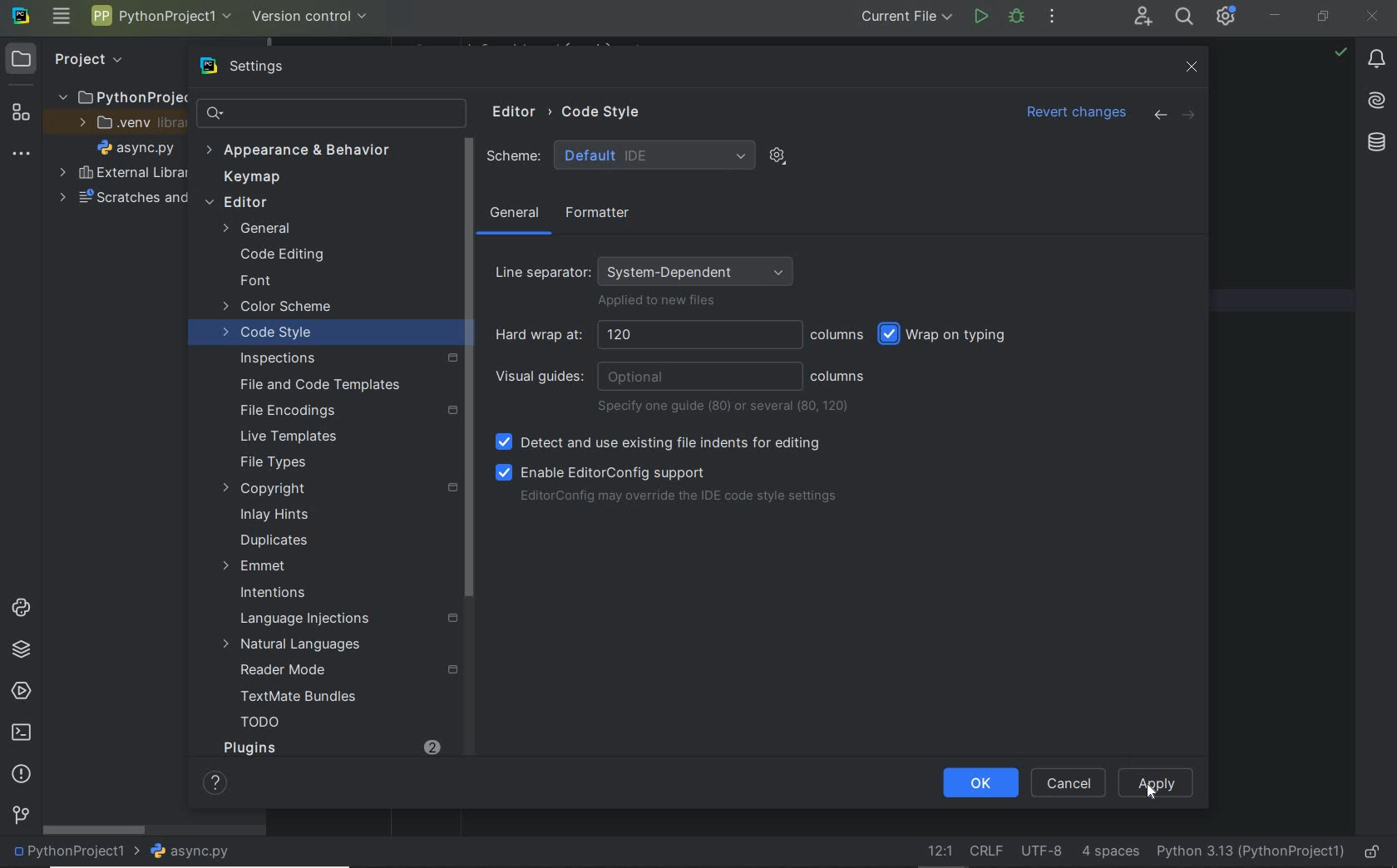 The image size is (1397, 868). Describe the element at coordinates (210, 782) in the screenshot. I see `Help` at that location.